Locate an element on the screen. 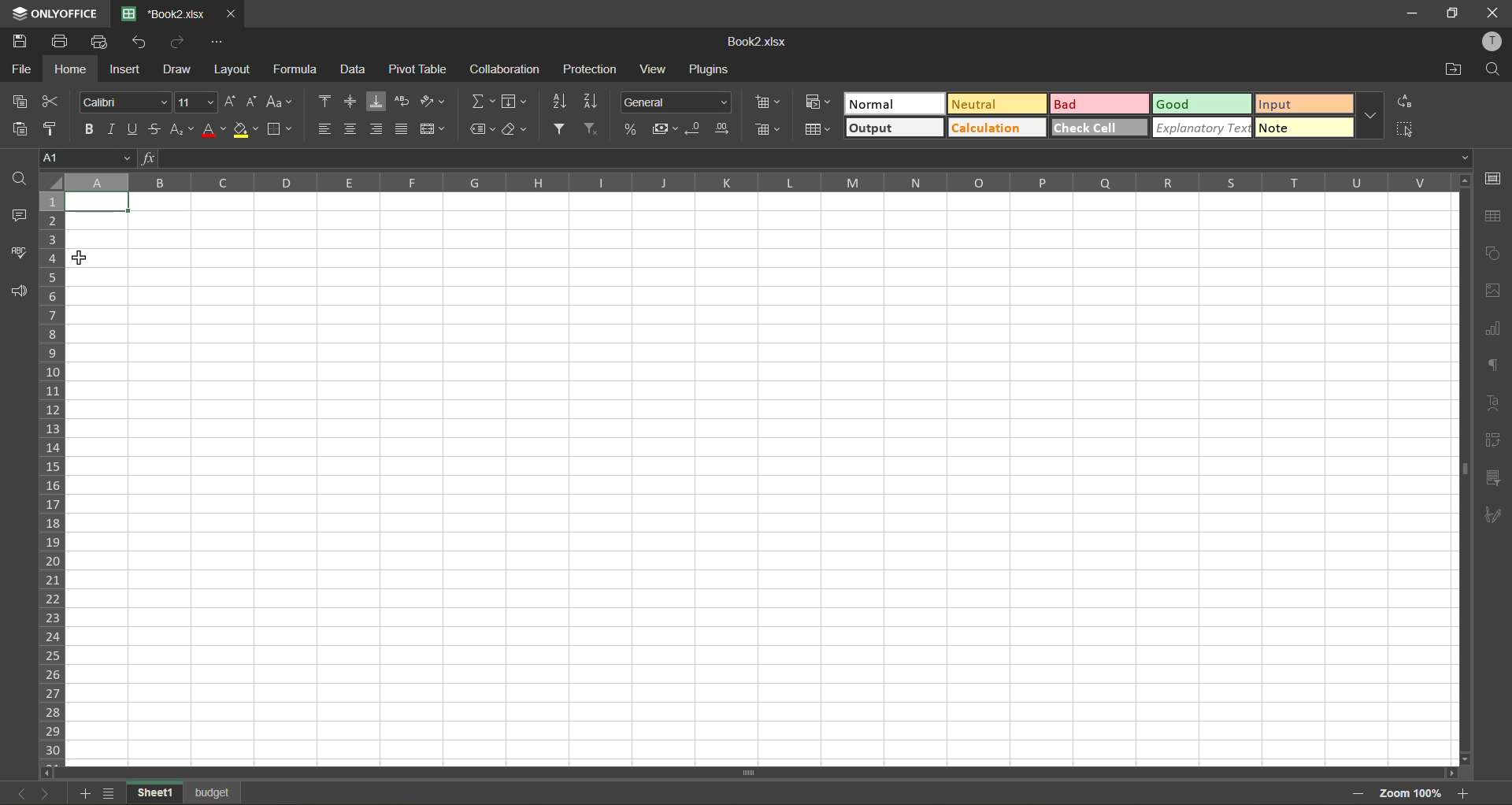 The image size is (1512, 805). strikethrough is located at coordinates (156, 129).